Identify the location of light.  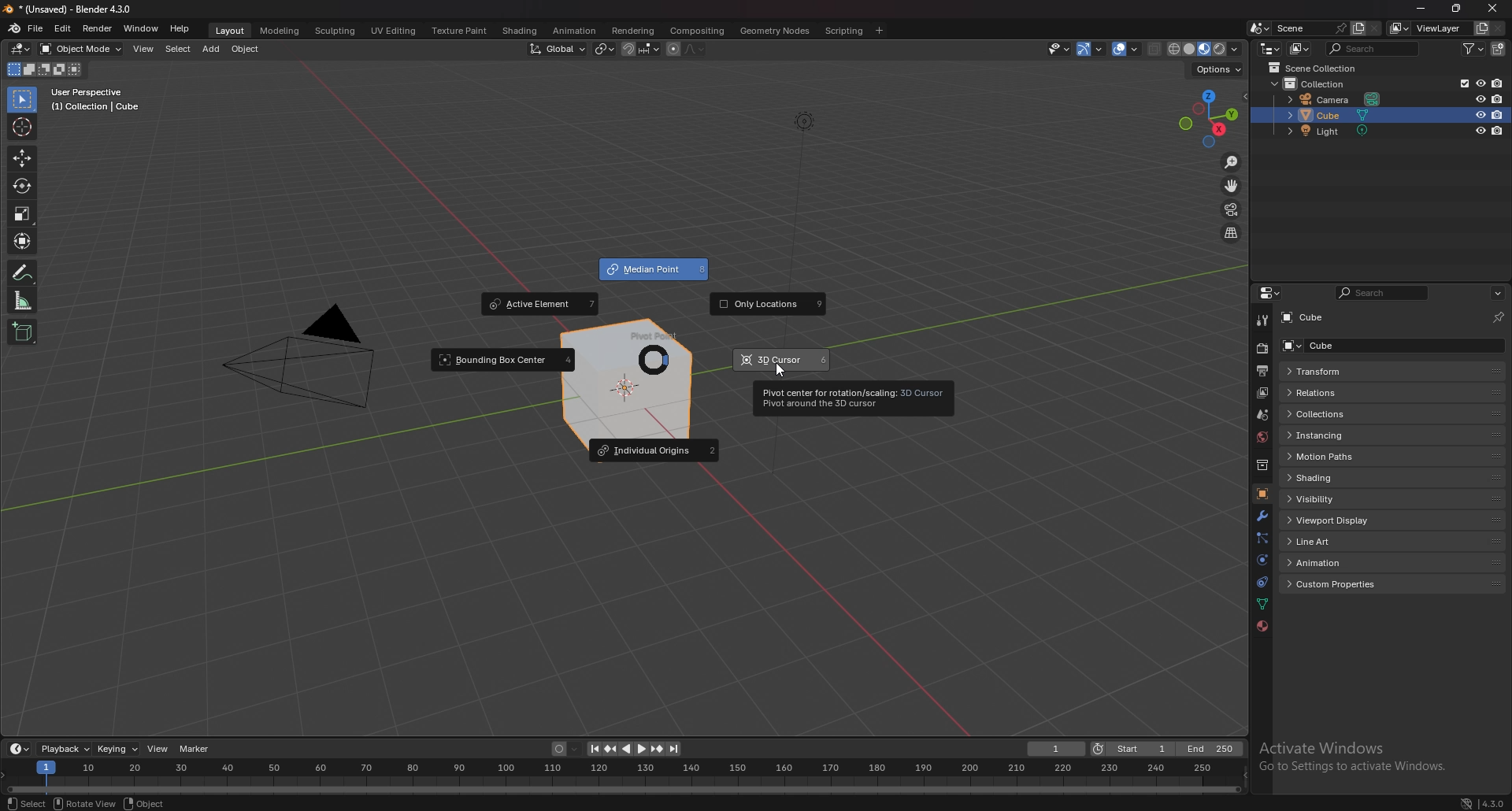
(1332, 131).